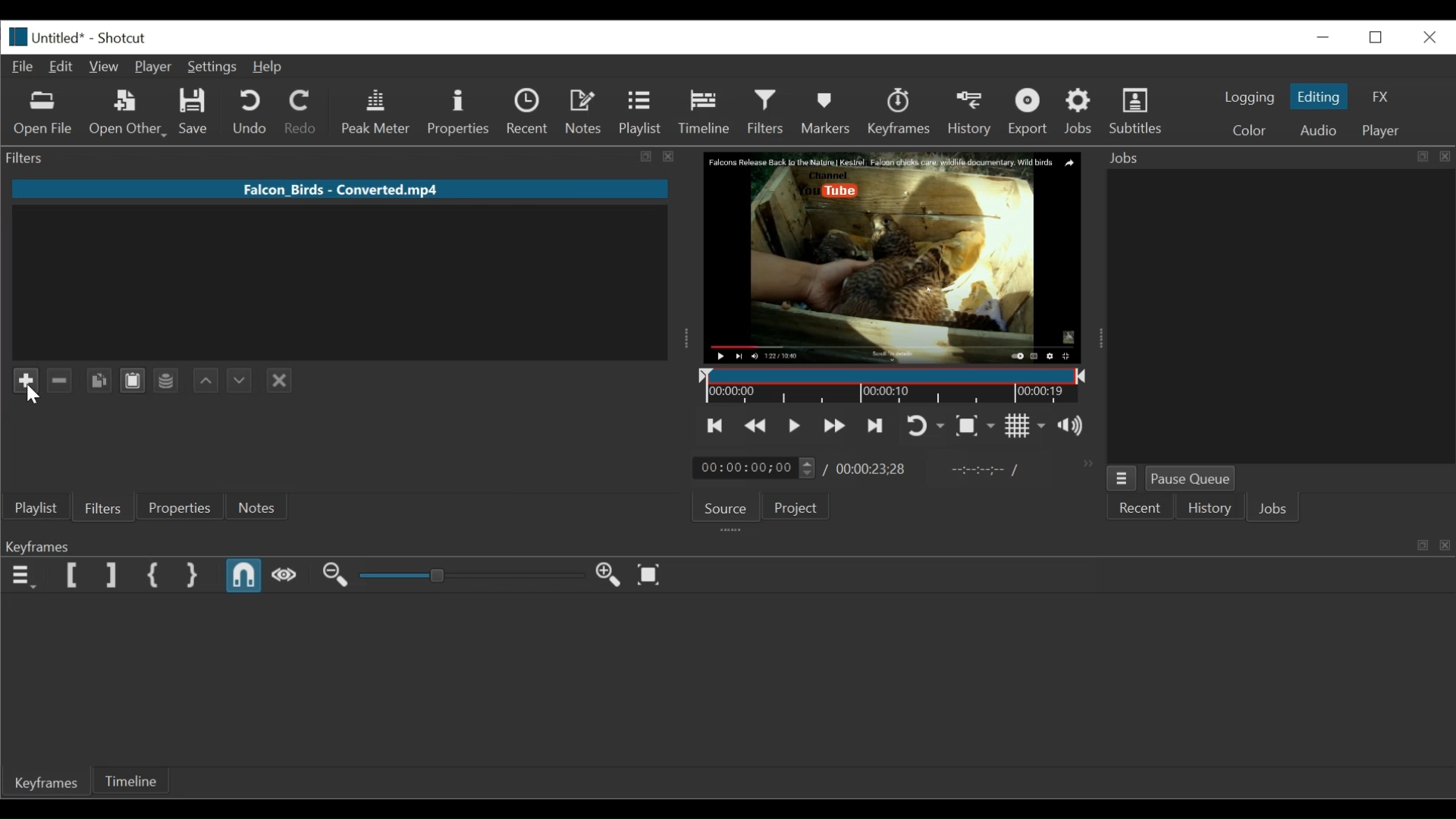  Describe the element at coordinates (193, 112) in the screenshot. I see `Save` at that location.